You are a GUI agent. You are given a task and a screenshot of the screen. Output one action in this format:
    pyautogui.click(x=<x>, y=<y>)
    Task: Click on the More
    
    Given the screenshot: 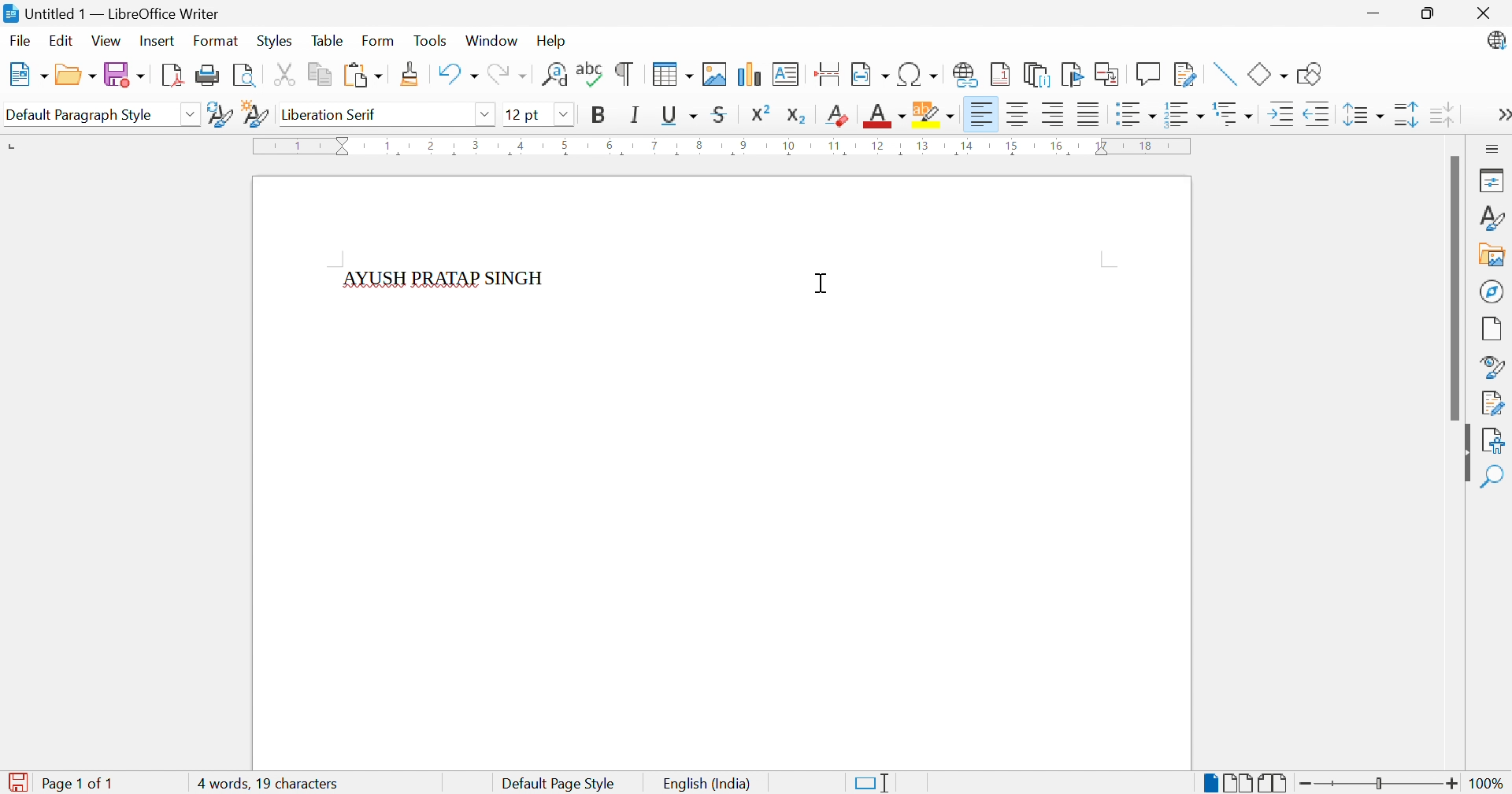 What is the action you would take?
    pyautogui.click(x=1501, y=114)
    